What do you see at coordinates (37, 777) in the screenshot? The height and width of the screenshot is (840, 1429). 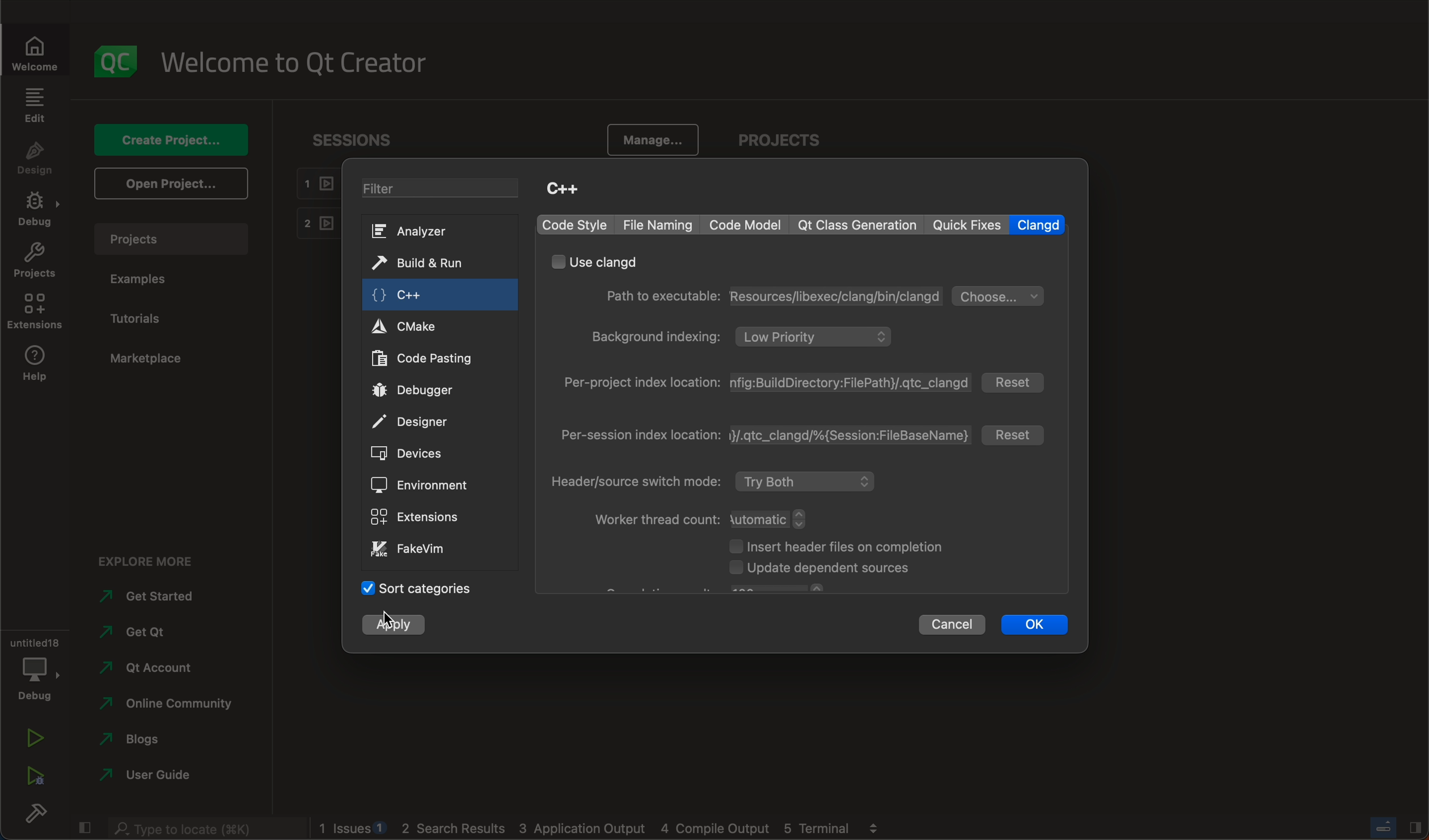 I see `run debug` at bounding box center [37, 777].